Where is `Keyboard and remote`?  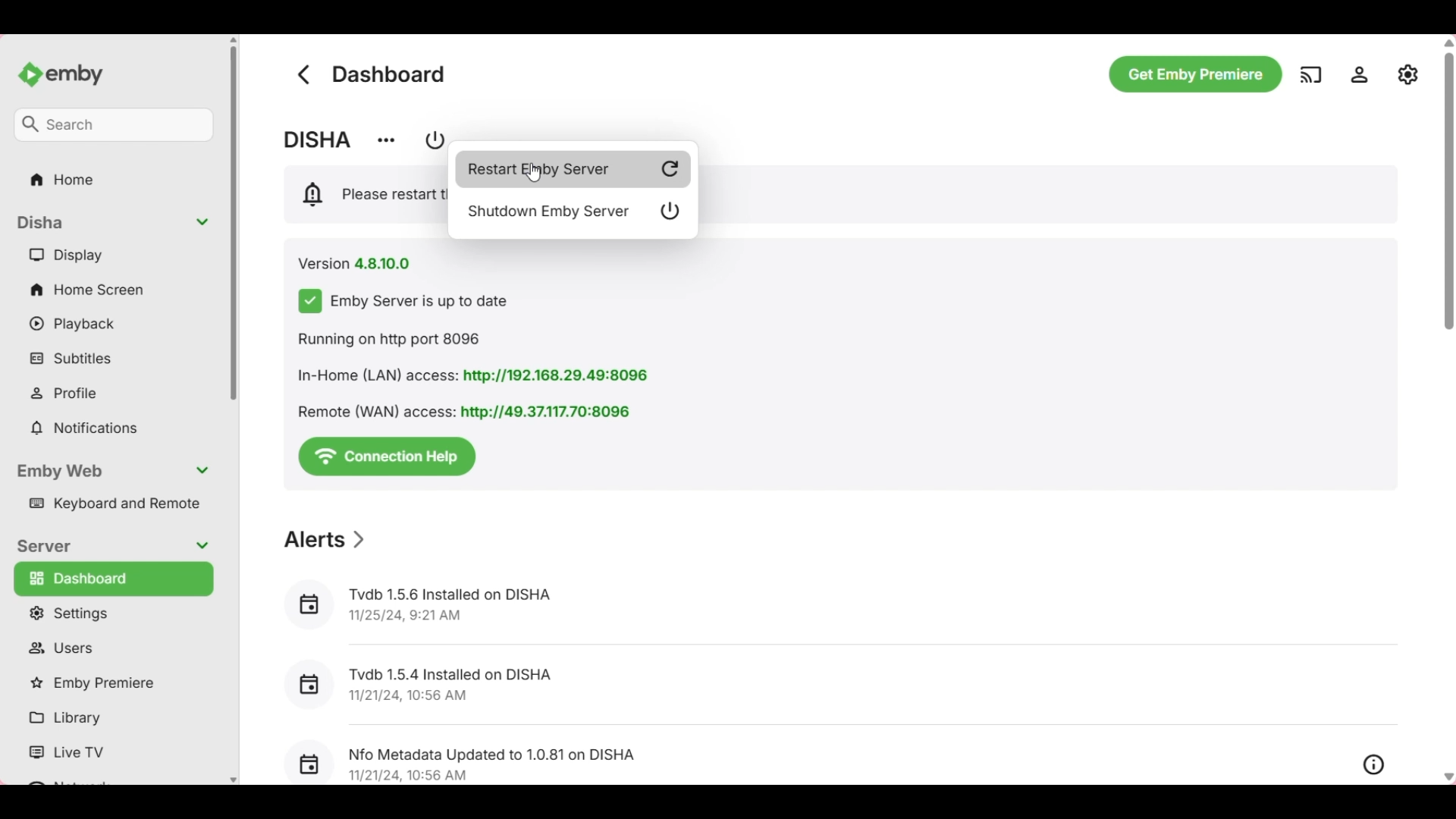
Keyboard and remote is located at coordinates (111, 504).